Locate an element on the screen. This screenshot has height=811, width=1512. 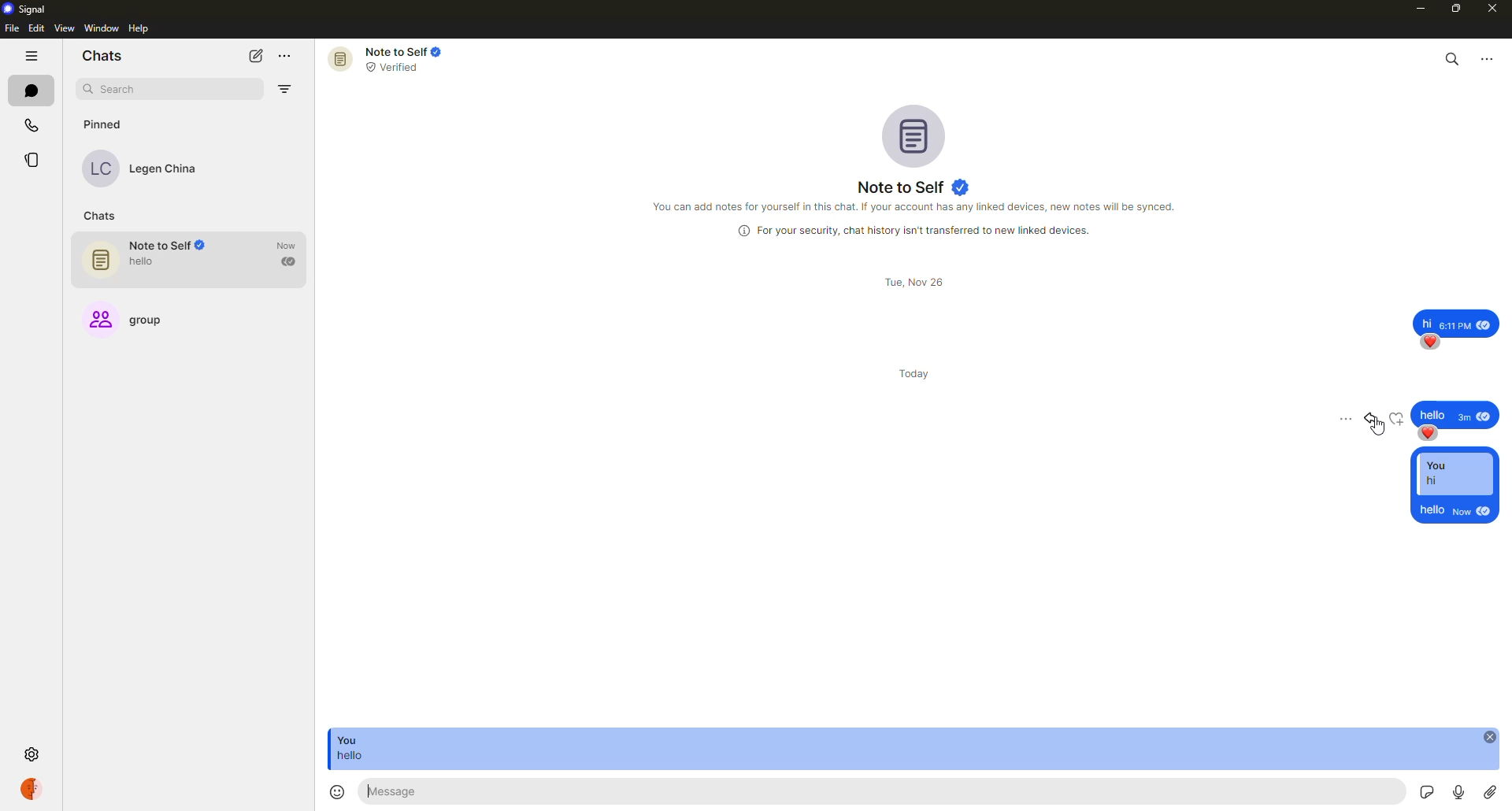
chats is located at coordinates (104, 55).